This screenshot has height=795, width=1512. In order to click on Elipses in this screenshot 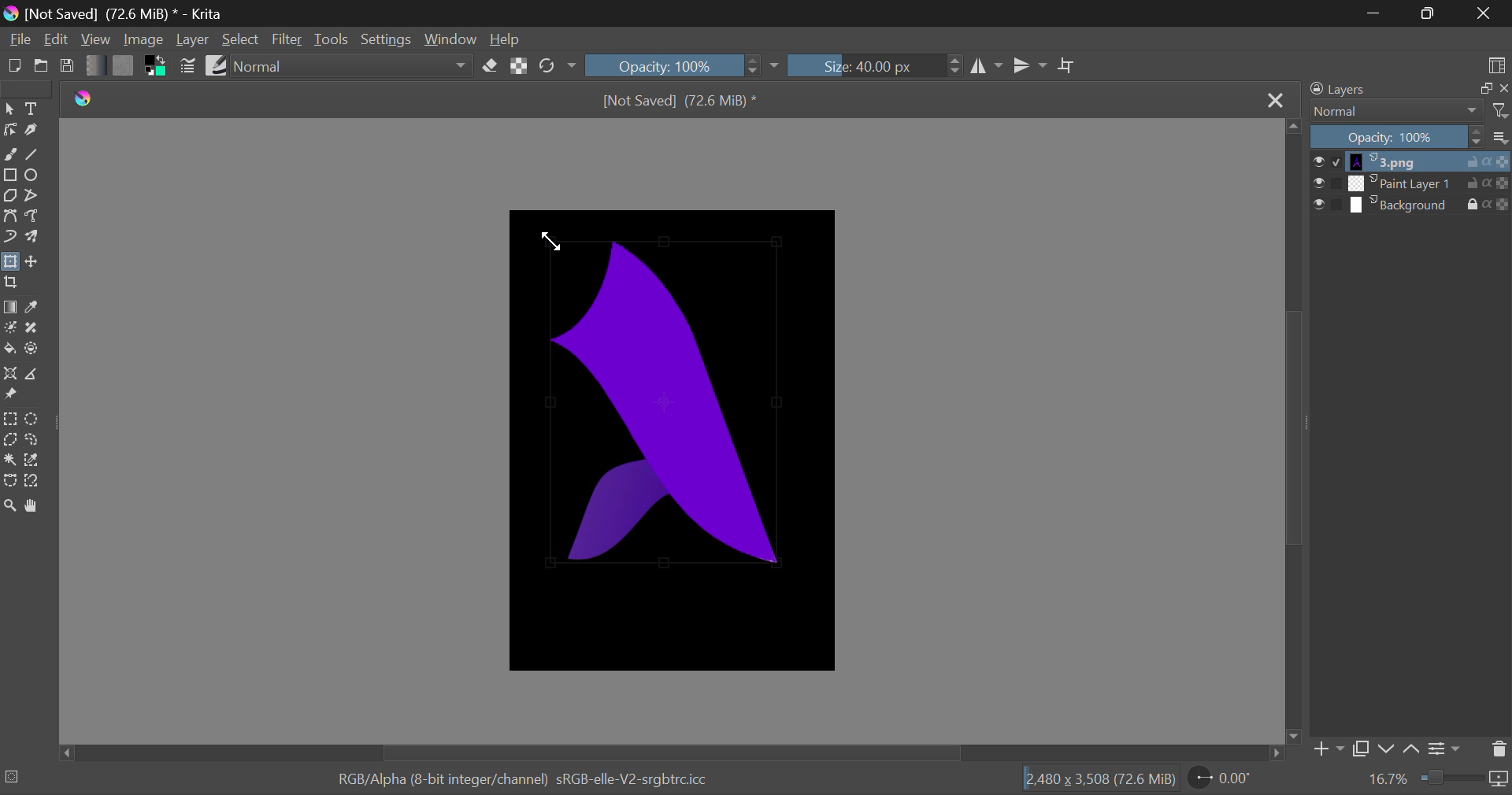, I will do `click(37, 176)`.